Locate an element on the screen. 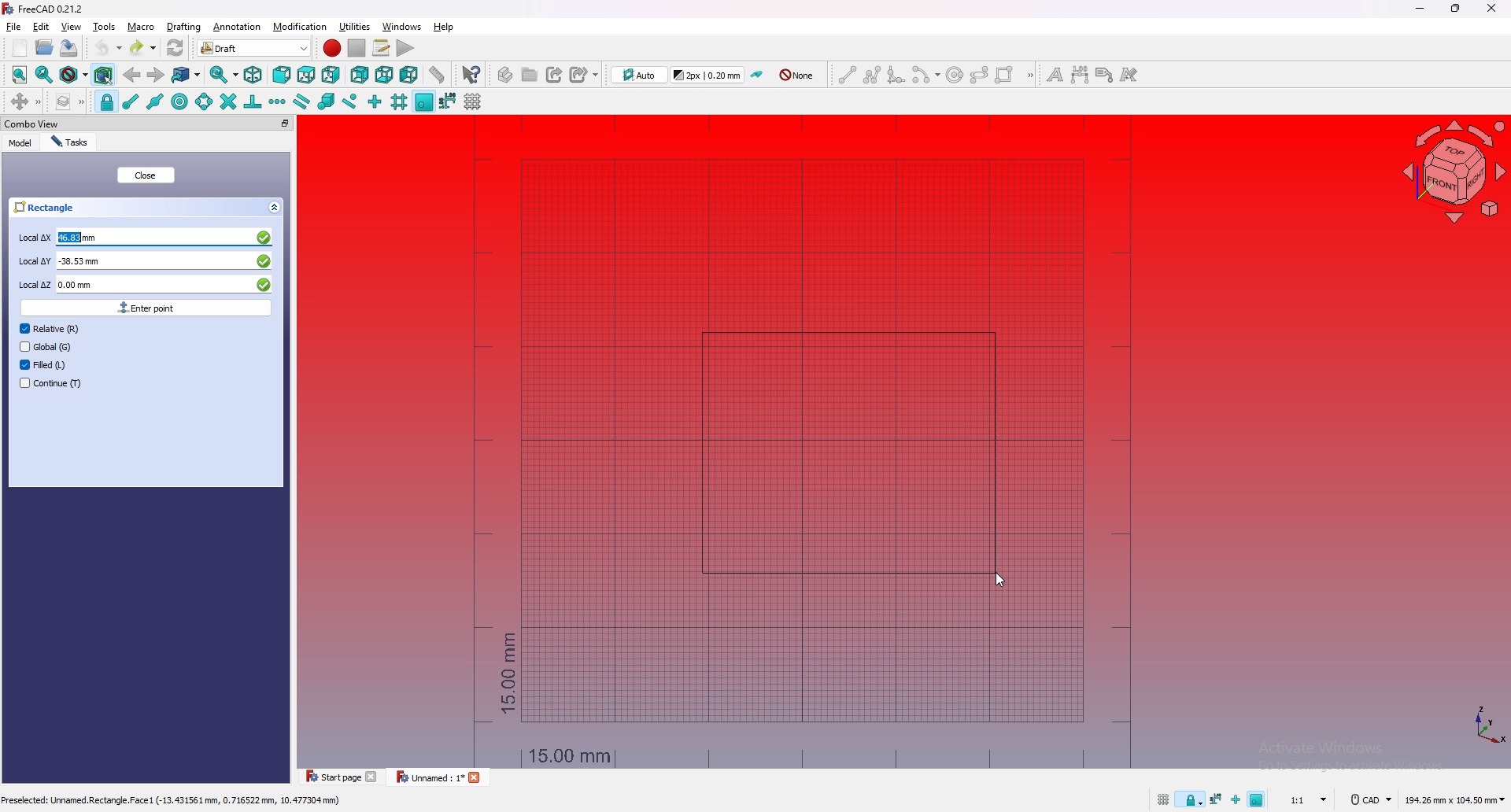 This screenshot has width=1511, height=812. close is located at coordinates (146, 175).